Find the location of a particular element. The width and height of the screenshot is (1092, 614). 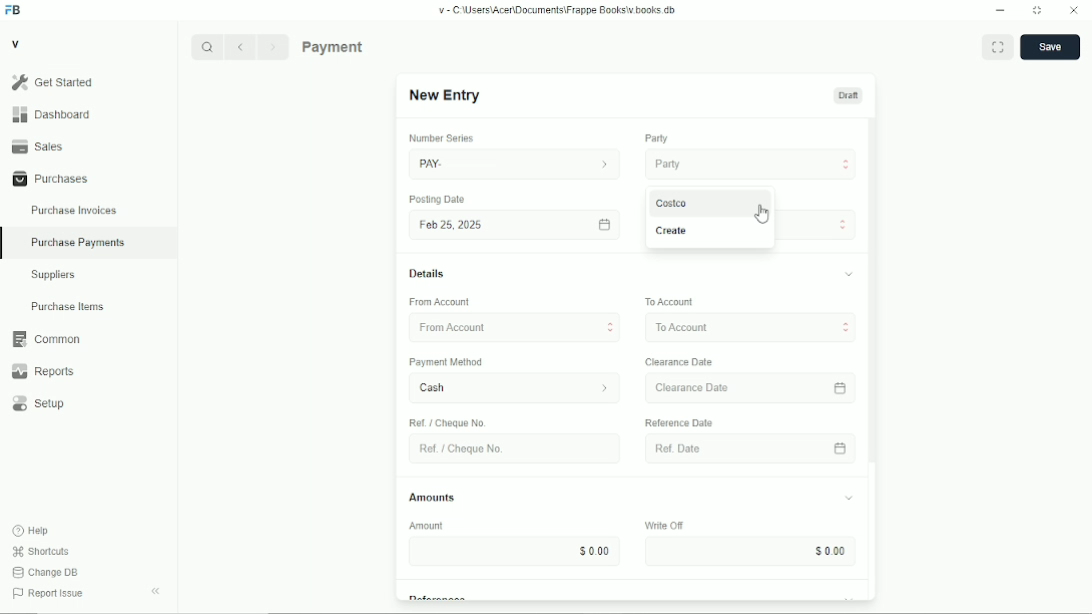

‘From Account is located at coordinates (438, 303).